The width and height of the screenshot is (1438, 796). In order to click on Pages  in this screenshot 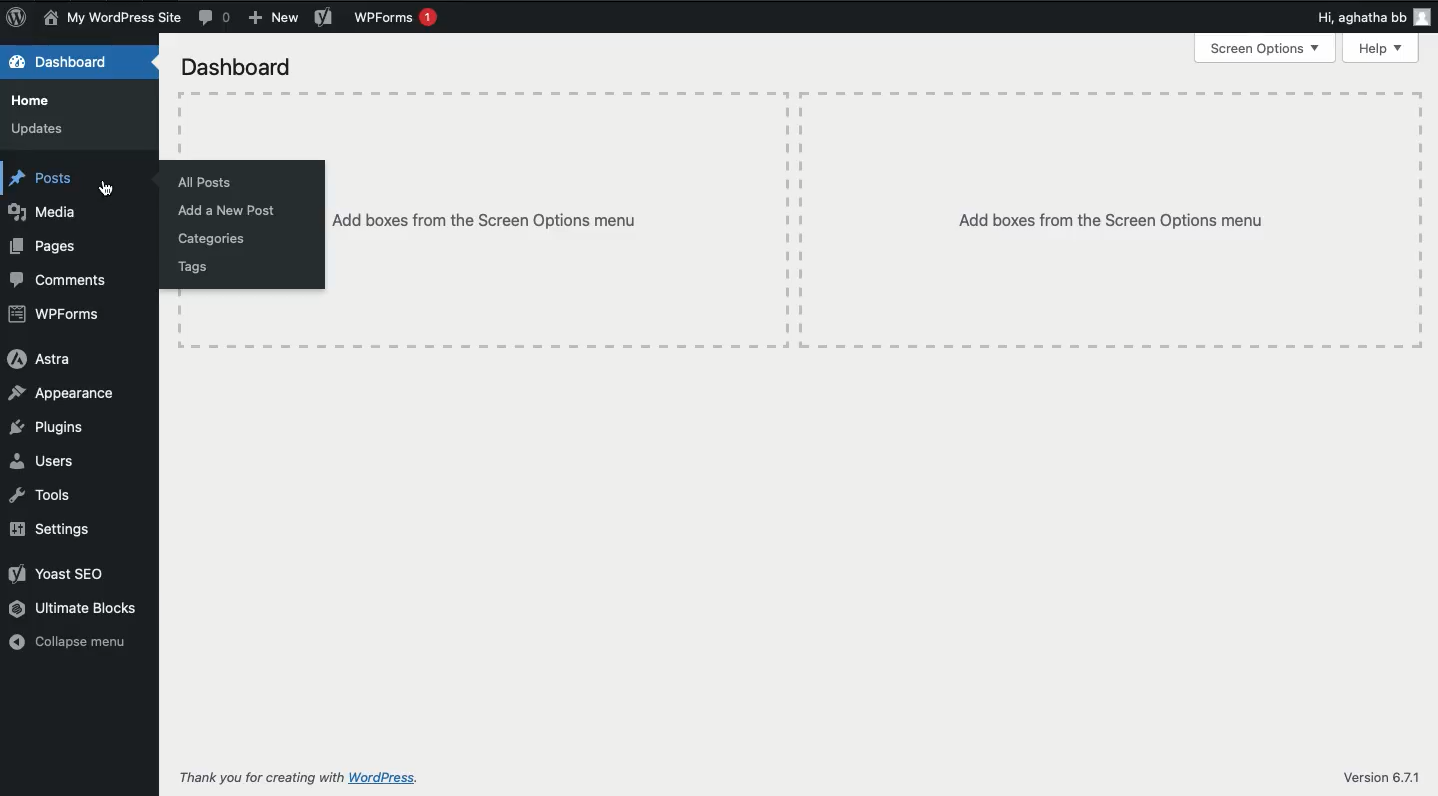, I will do `click(46, 246)`.